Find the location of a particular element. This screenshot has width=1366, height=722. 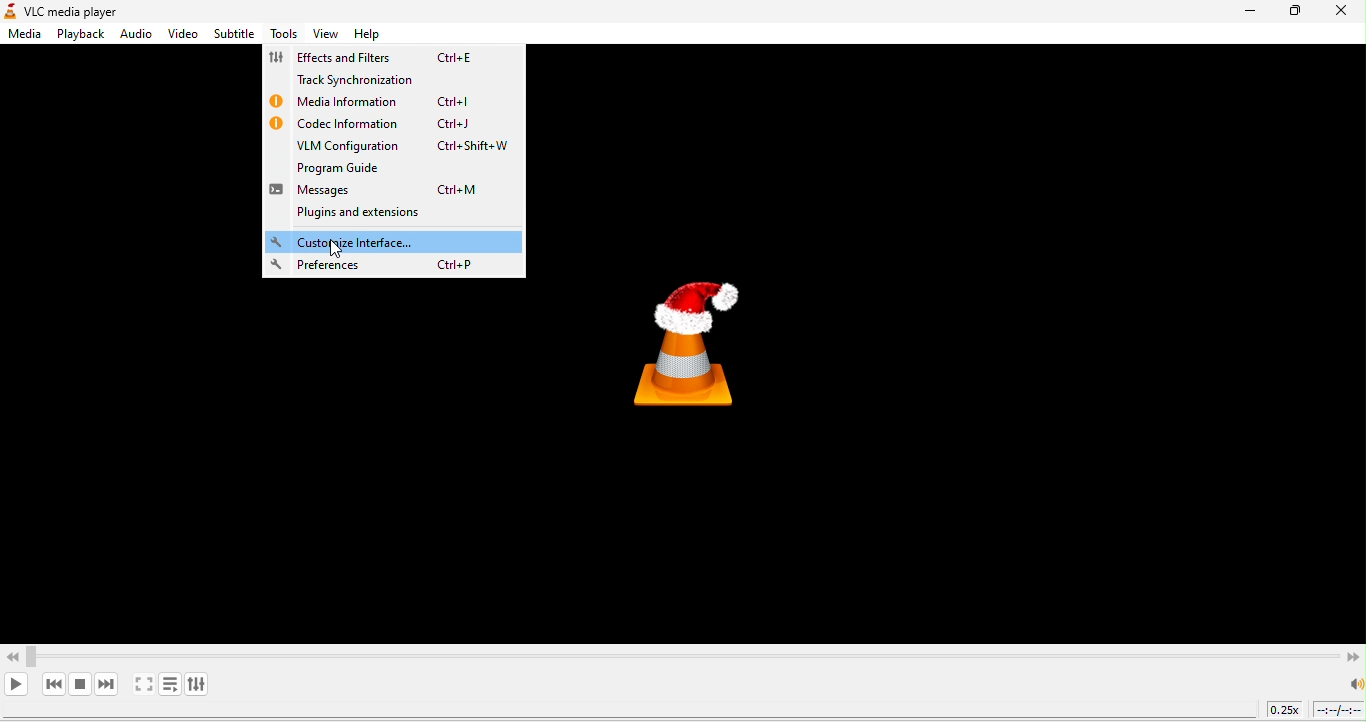

media information is located at coordinates (373, 101).